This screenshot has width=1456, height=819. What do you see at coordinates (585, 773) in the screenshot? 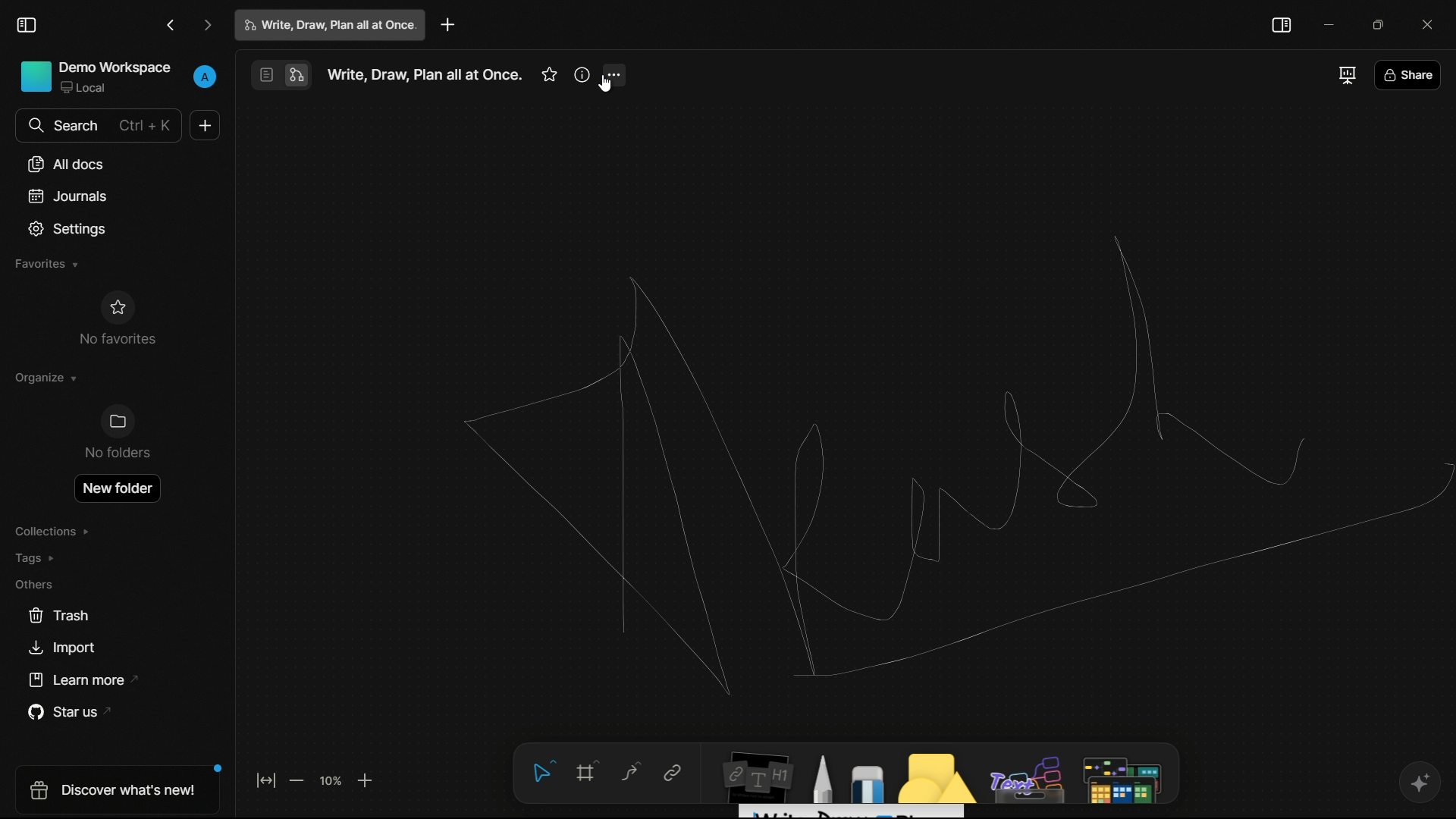
I see `frame` at bounding box center [585, 773].